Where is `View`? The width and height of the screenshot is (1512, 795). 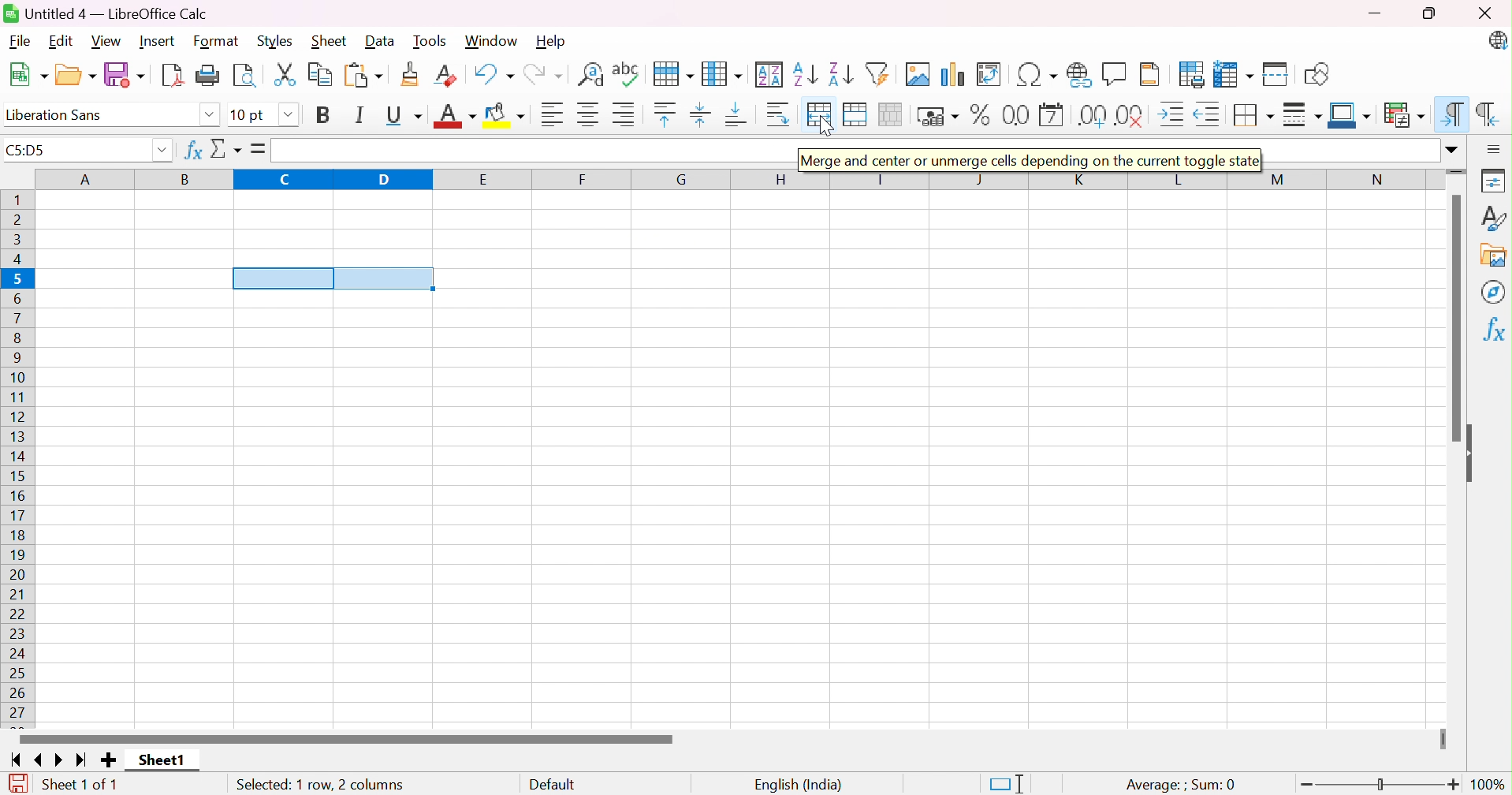
View is located at coordinates (110, 41).